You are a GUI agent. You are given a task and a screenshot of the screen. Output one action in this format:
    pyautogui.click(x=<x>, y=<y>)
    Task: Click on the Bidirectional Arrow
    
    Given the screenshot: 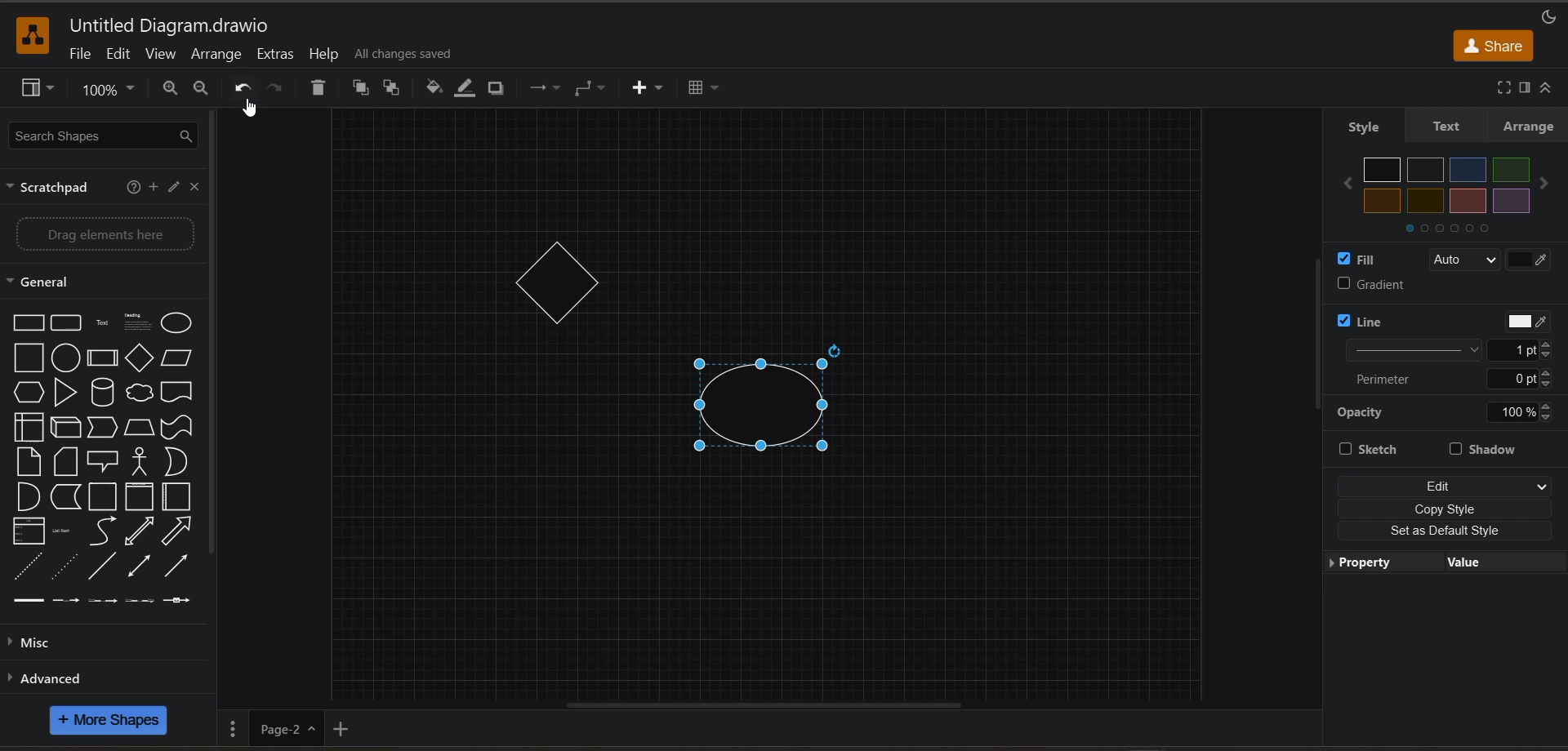 What is the action you would take?
    pyautogui.click(x=141, y=531)
    